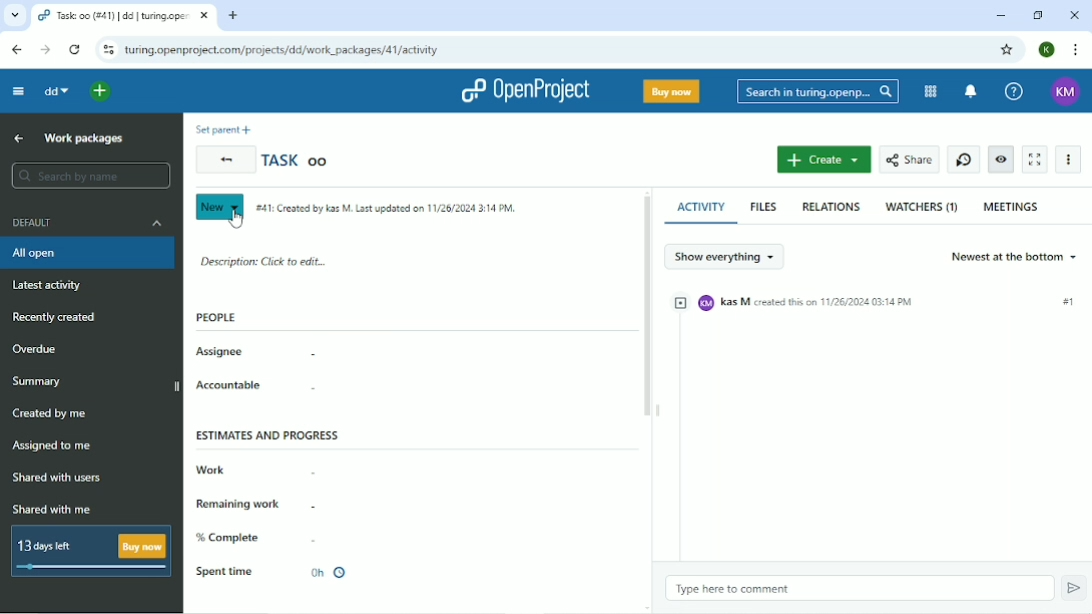  Describe the element at coordinates (267, 263) in the screenshot. I see `Description: click to edit` at that location.